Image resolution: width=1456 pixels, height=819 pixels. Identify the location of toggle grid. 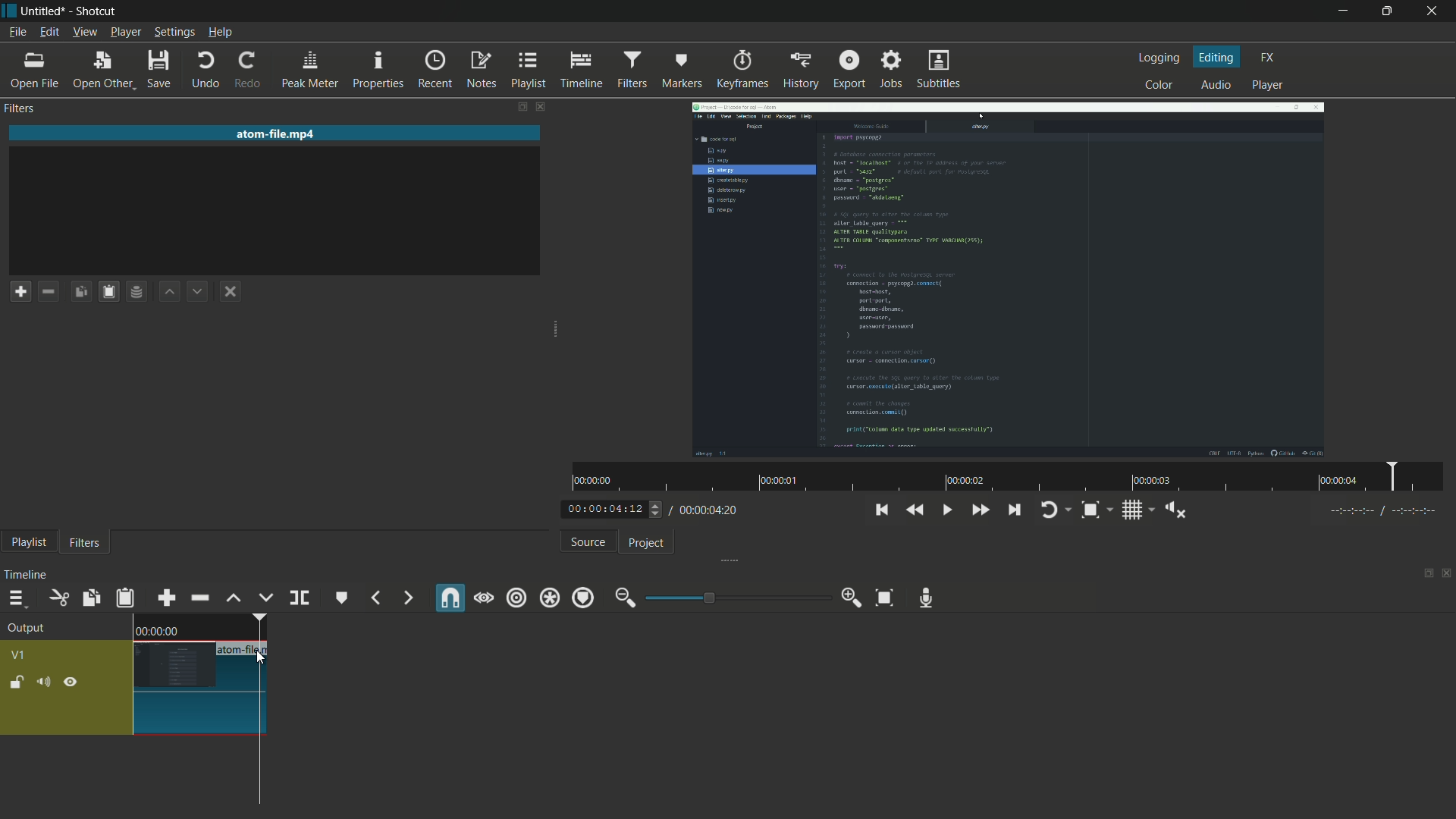
(1132, 510).